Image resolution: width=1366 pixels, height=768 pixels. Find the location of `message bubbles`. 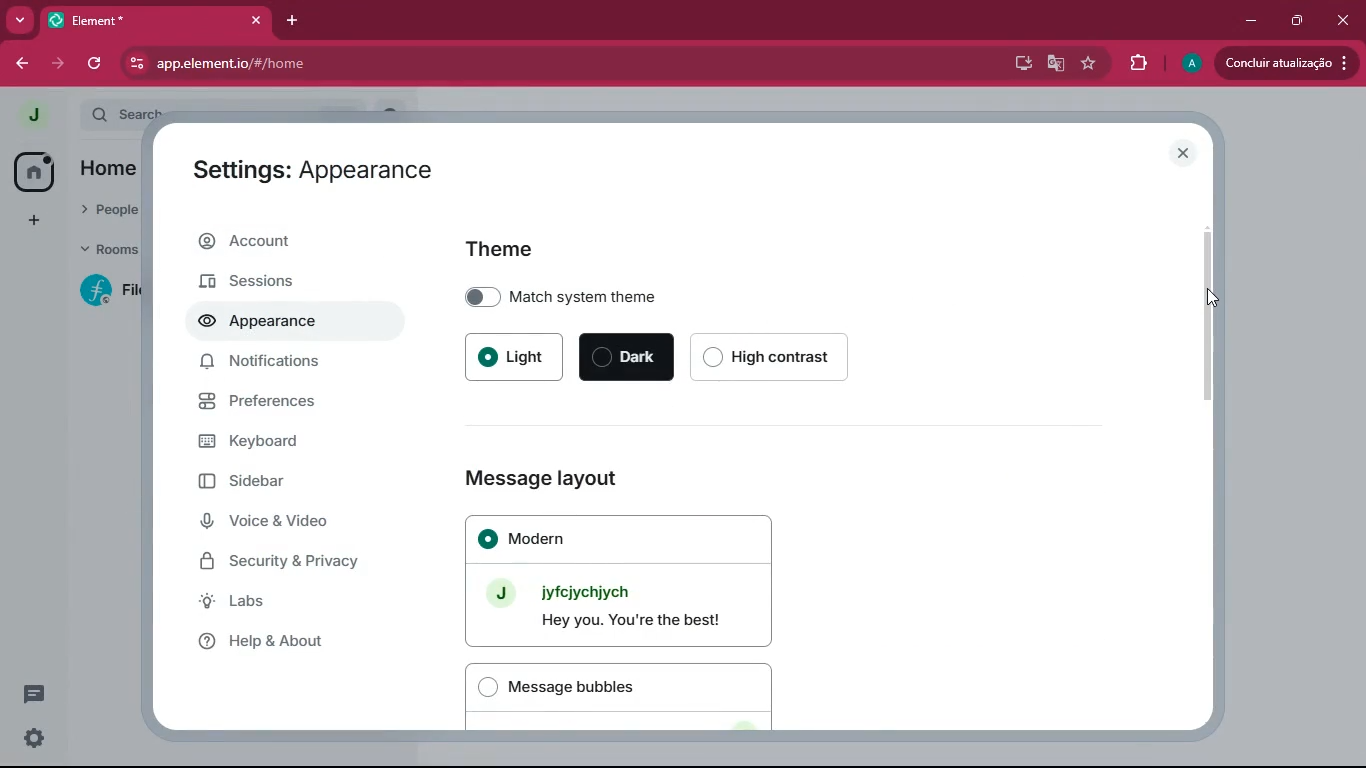

message bubbles is located at coordinates (621, 697).